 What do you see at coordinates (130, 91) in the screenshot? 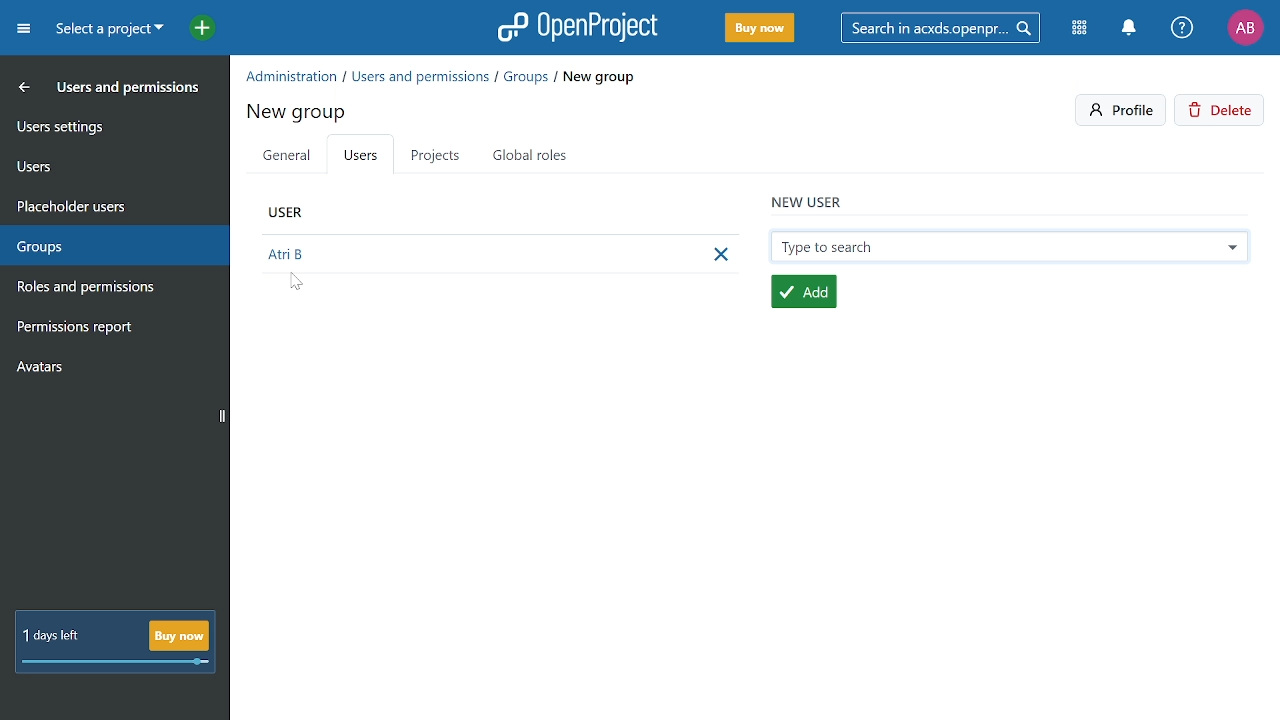
I see `Users and permissoins` at bounding box center [130, 91].